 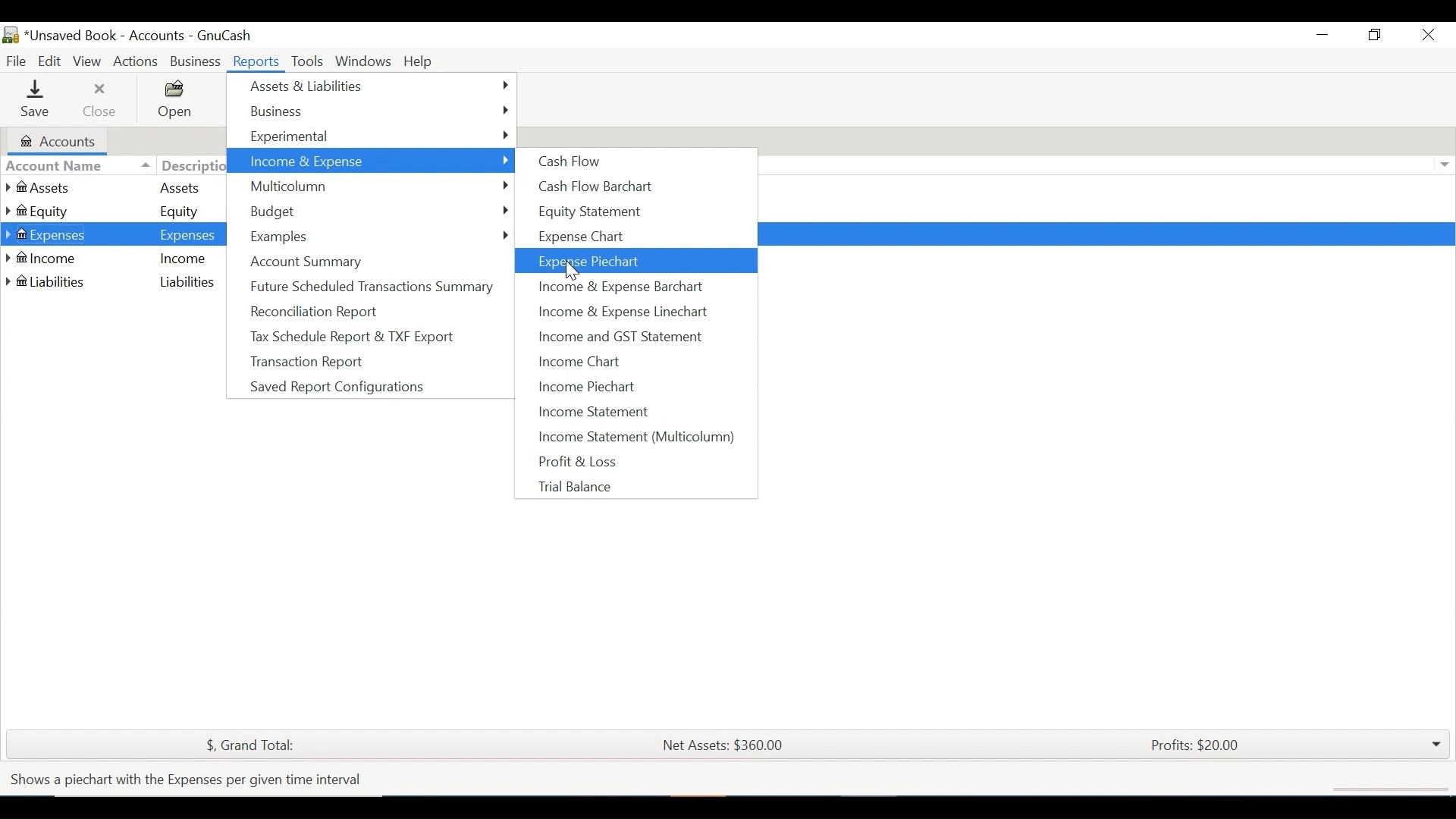 What do you see at coordinates (129, 34) in the screenshot?
I see `Accounts Name` at bounding box center [129, 34].